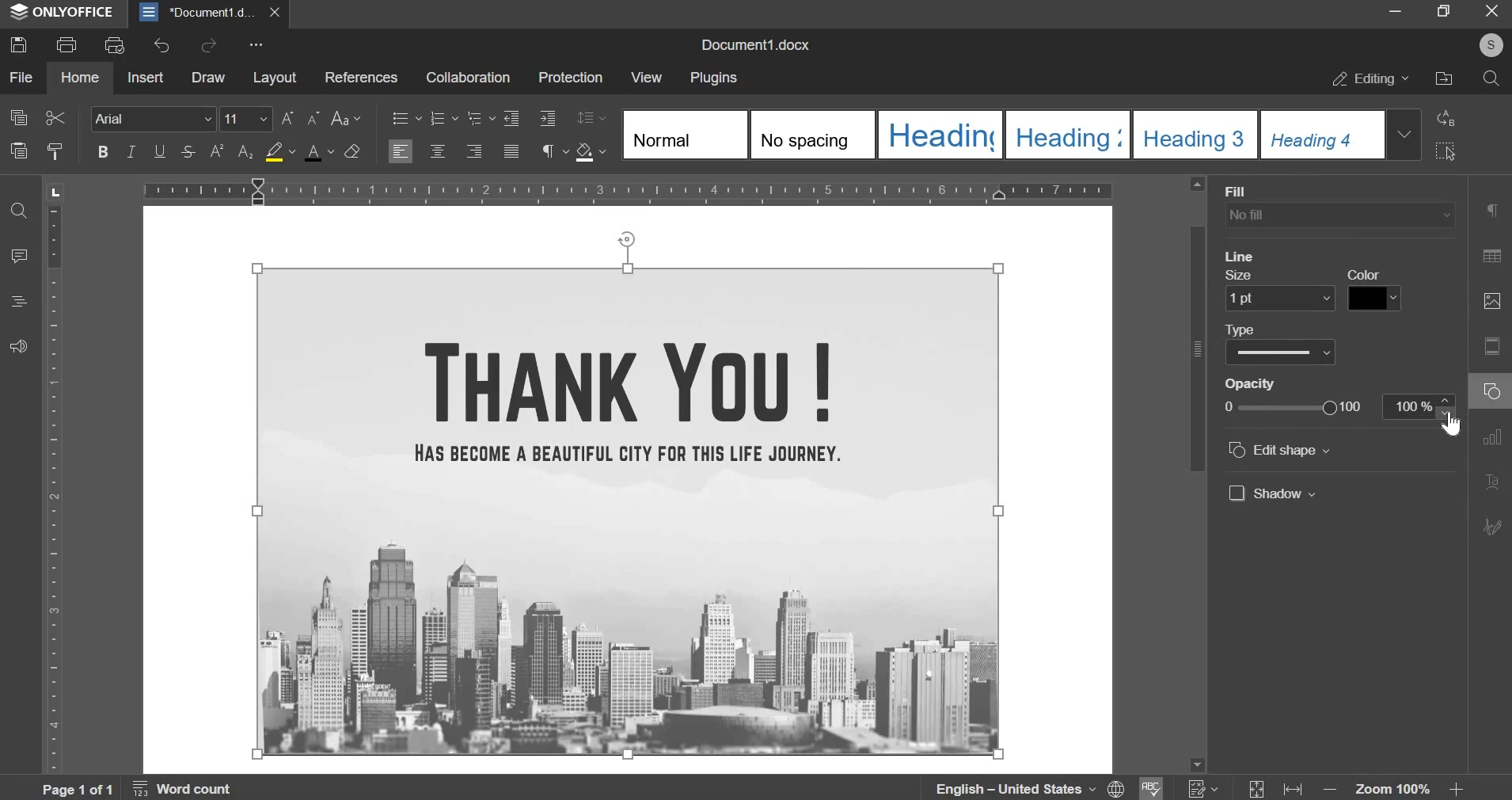  Describe the element at coordinates (1488, 211) in the screenshot. I see `Paragraph settings` at that location.